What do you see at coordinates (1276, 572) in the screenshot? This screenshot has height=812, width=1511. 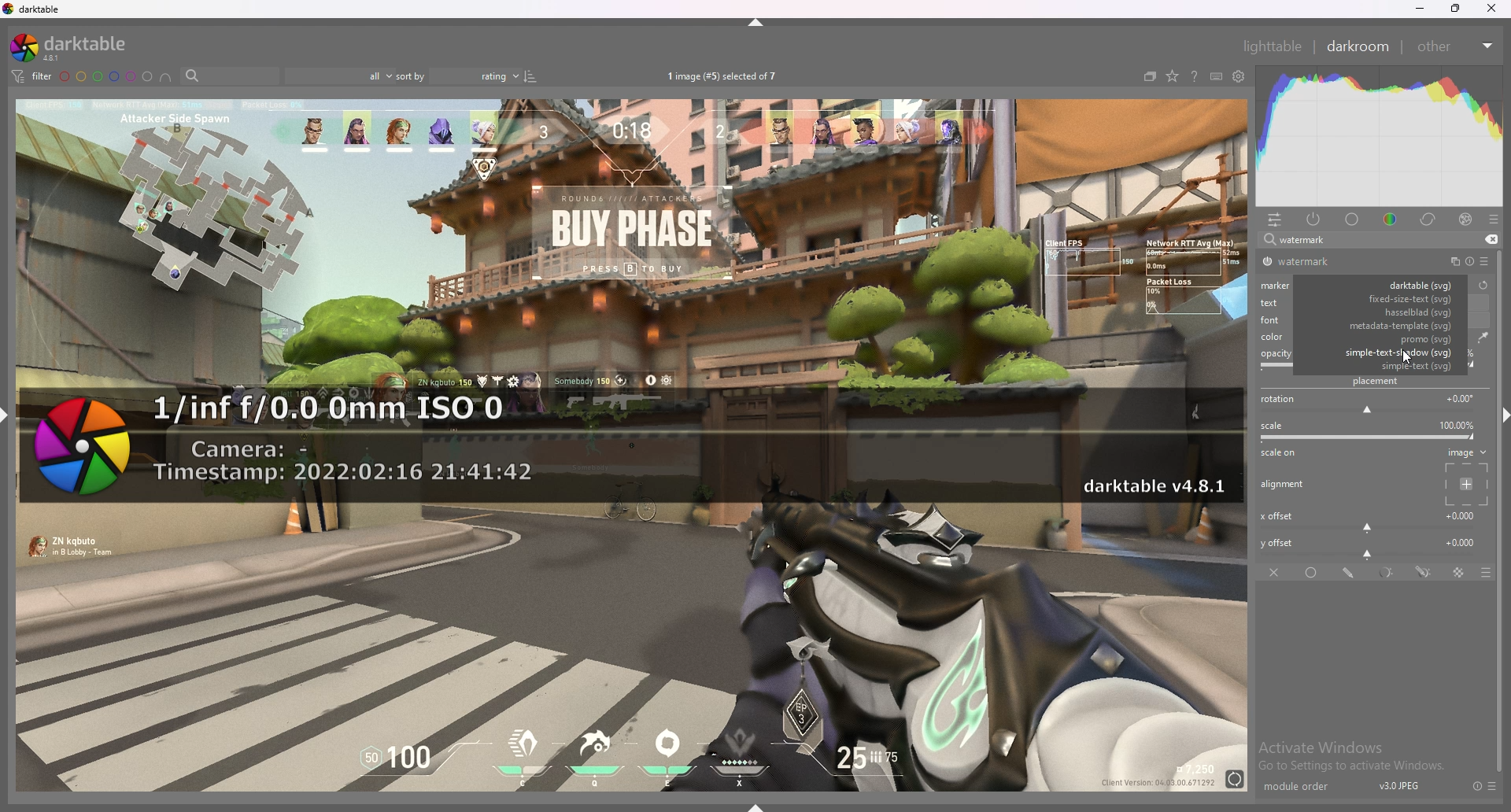 I see `off` at bounding box center [1276, 572].